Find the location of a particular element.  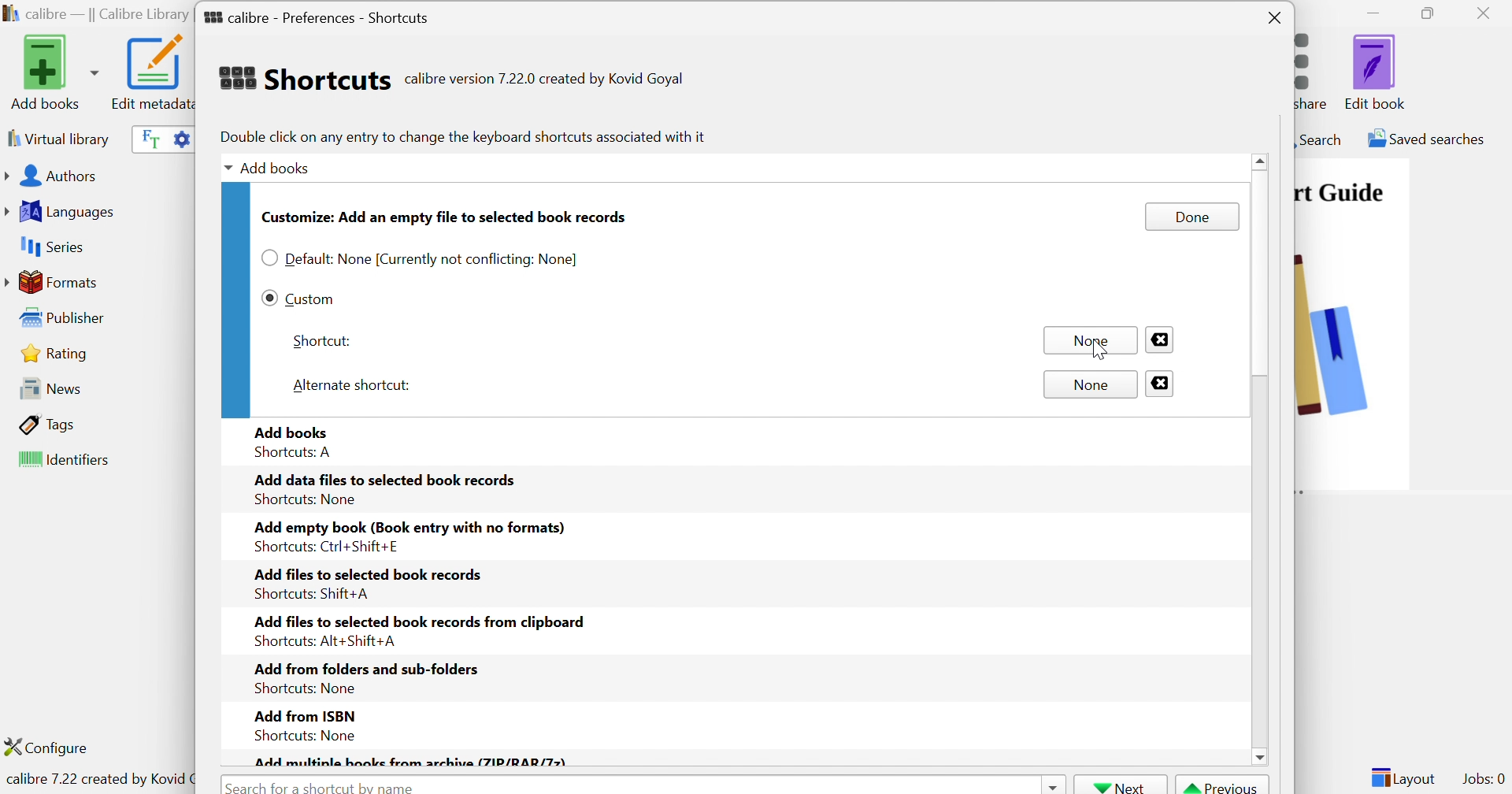

Authors is located at coordinates (54, 177).